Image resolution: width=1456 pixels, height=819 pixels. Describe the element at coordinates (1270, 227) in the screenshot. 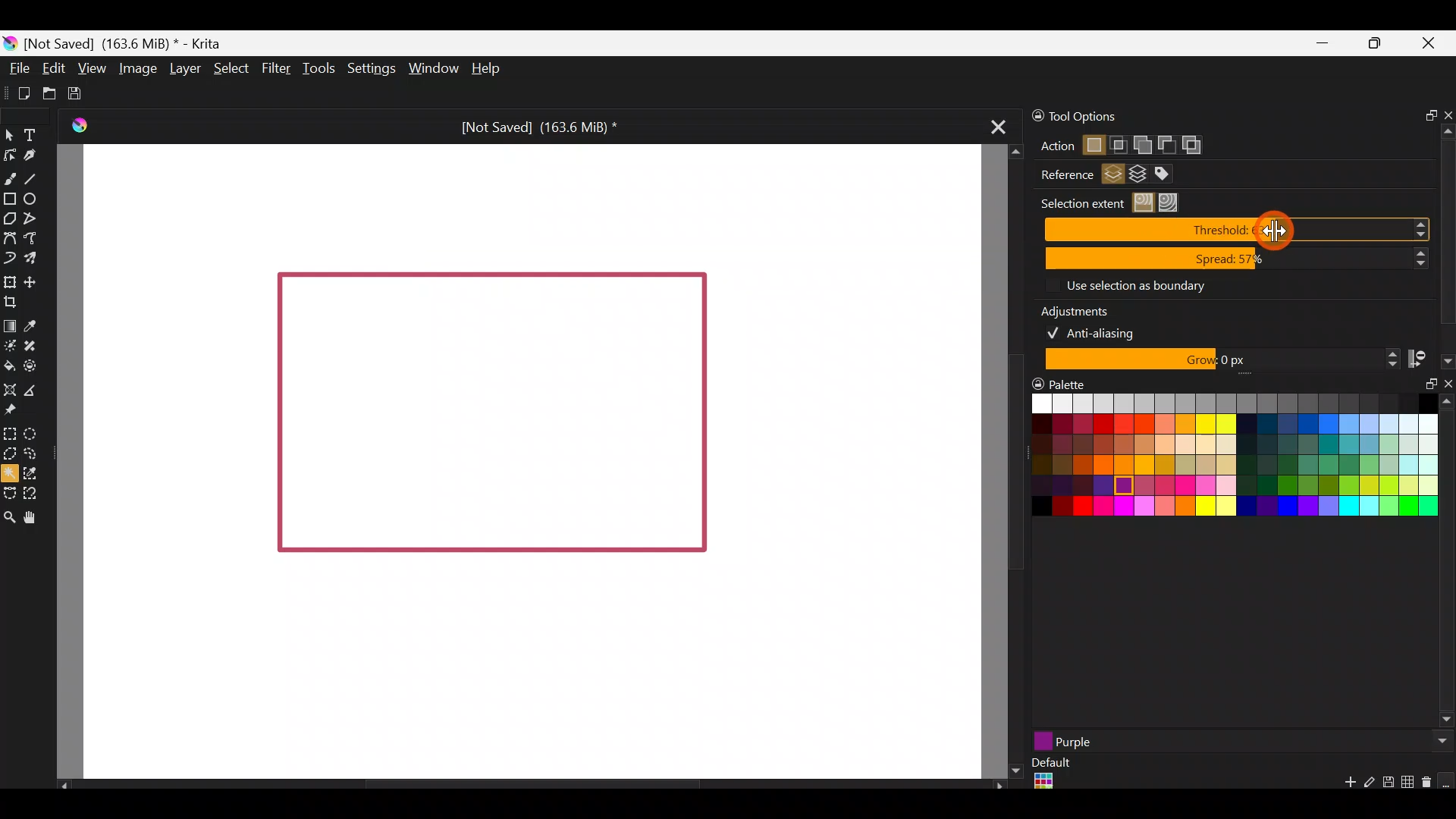

I see `Cursor` at that location.